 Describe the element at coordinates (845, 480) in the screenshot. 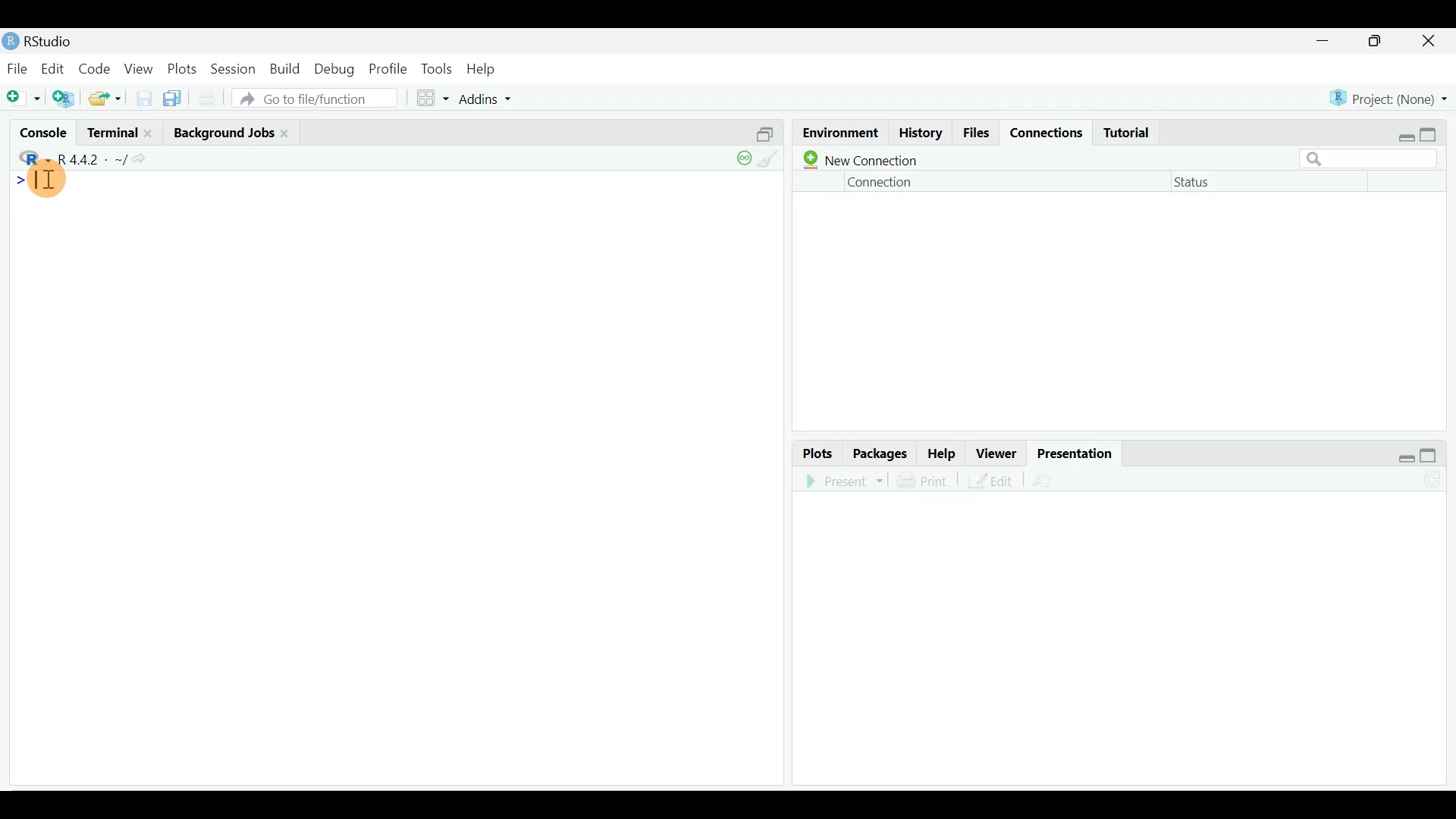

I see `Present in an external web browser` at that location.